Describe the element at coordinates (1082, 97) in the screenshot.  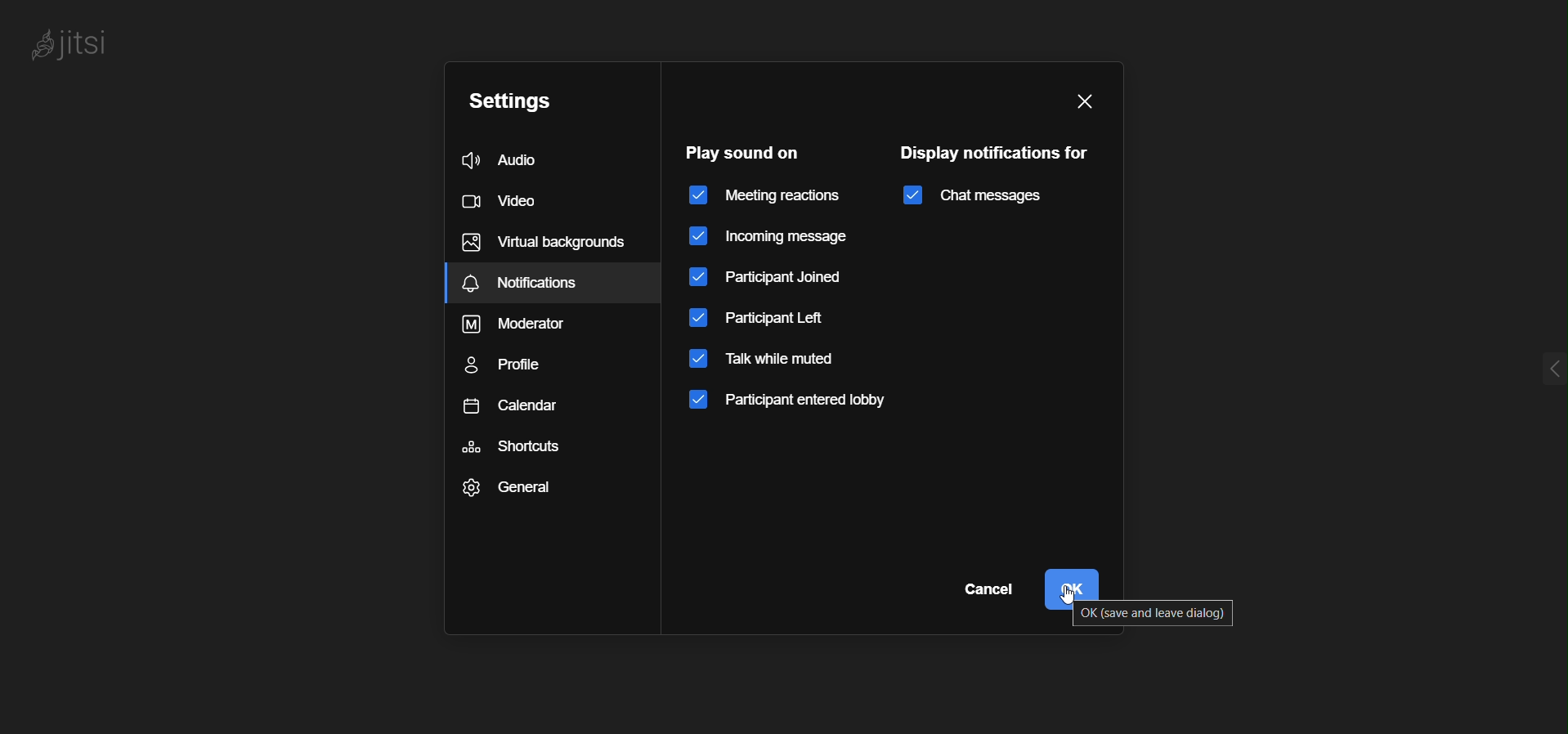
I see `close` at that location.